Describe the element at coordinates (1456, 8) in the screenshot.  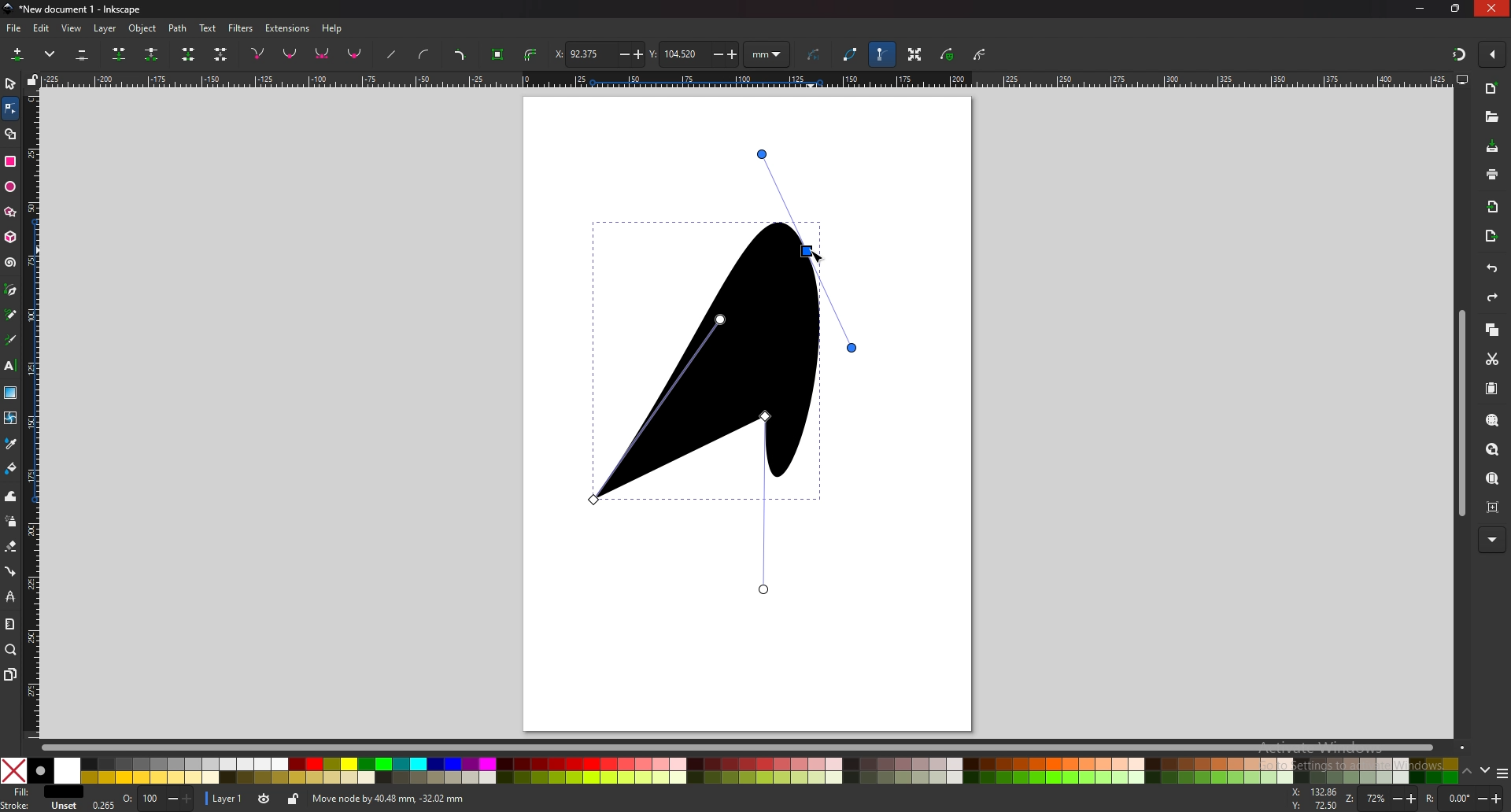
I see `resize` at that location.